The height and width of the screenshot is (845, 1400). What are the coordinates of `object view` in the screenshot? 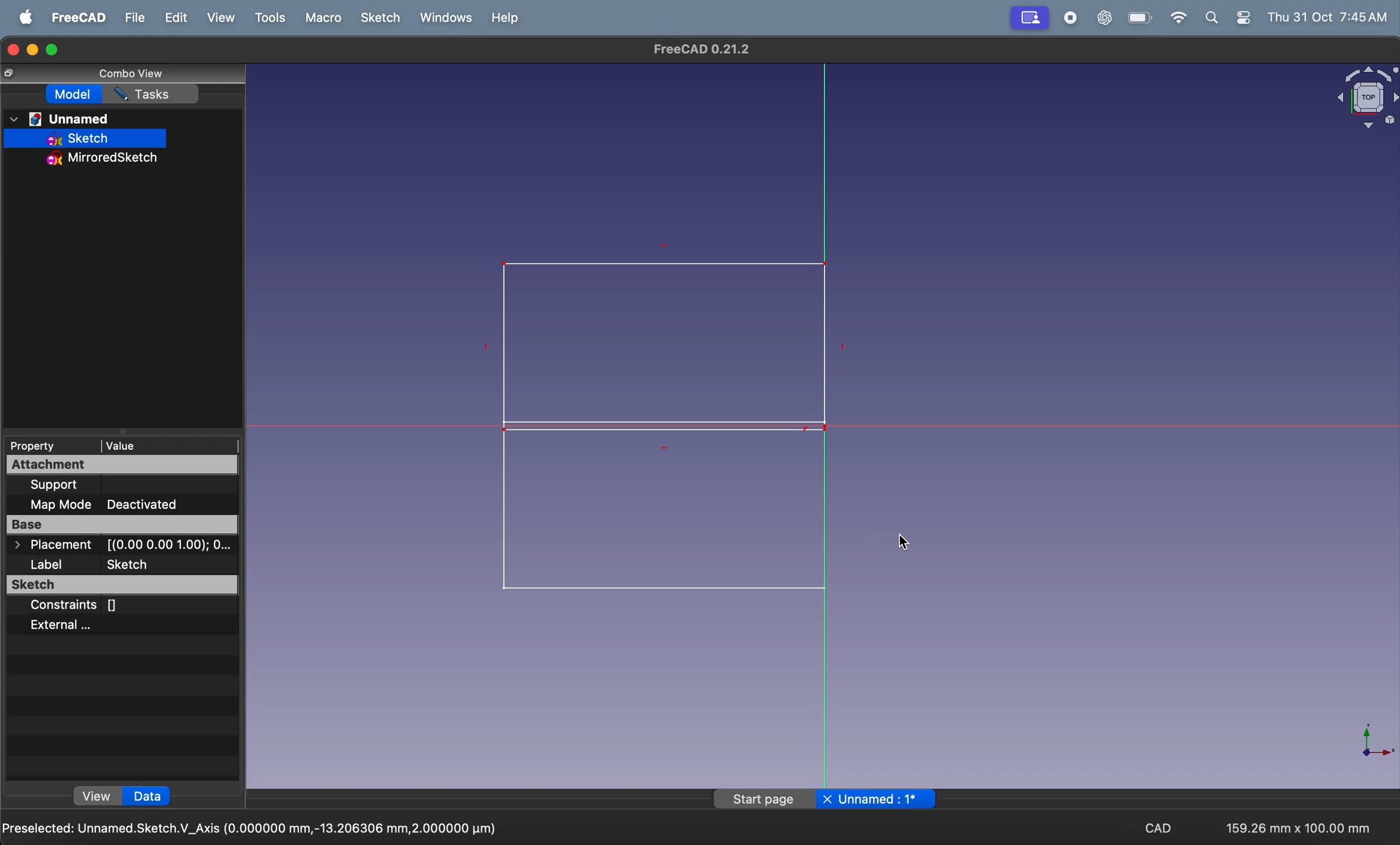 It's located at (1360, 99).